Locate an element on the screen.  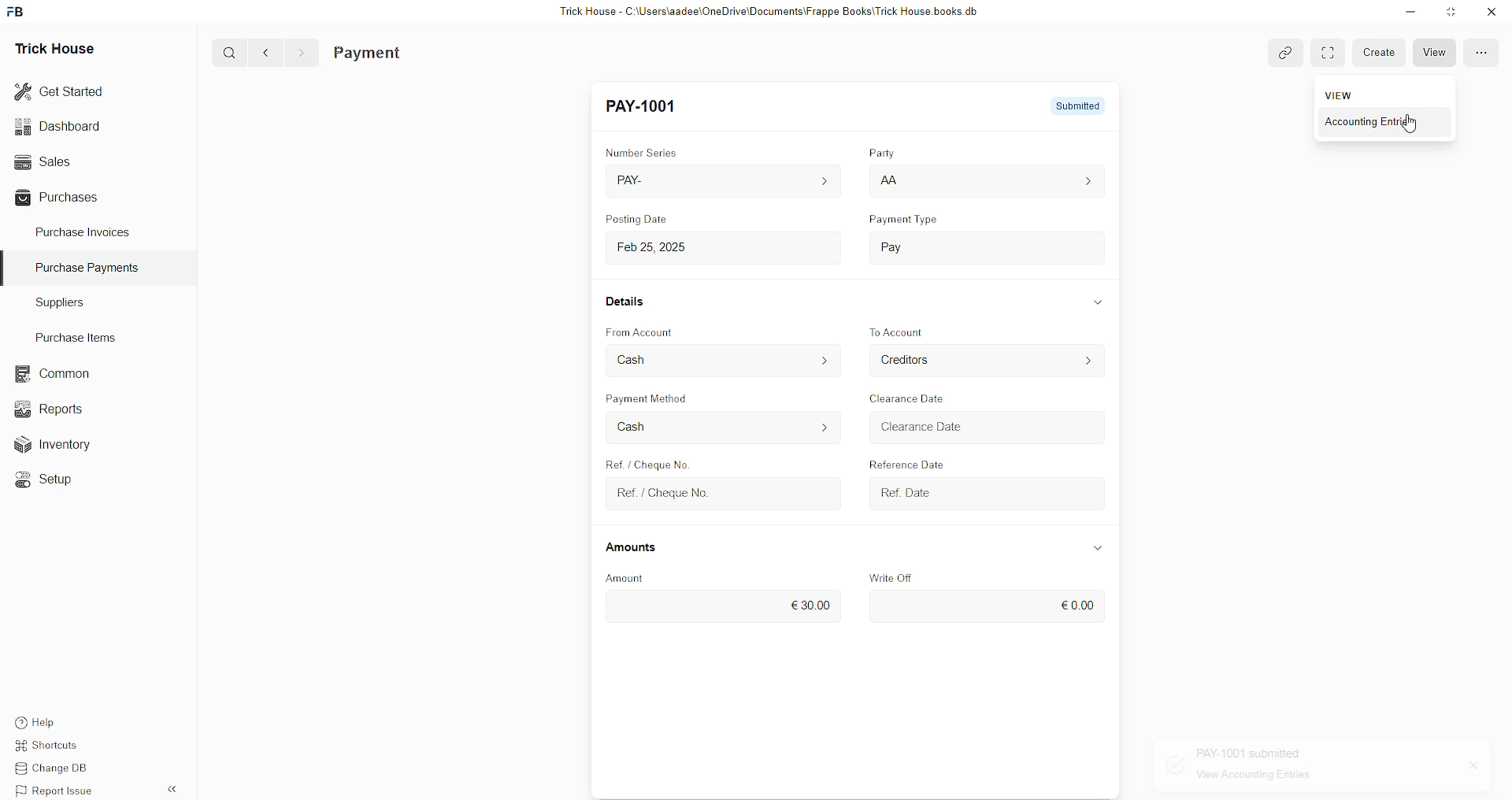
close is located at coordinates (1492, 12).